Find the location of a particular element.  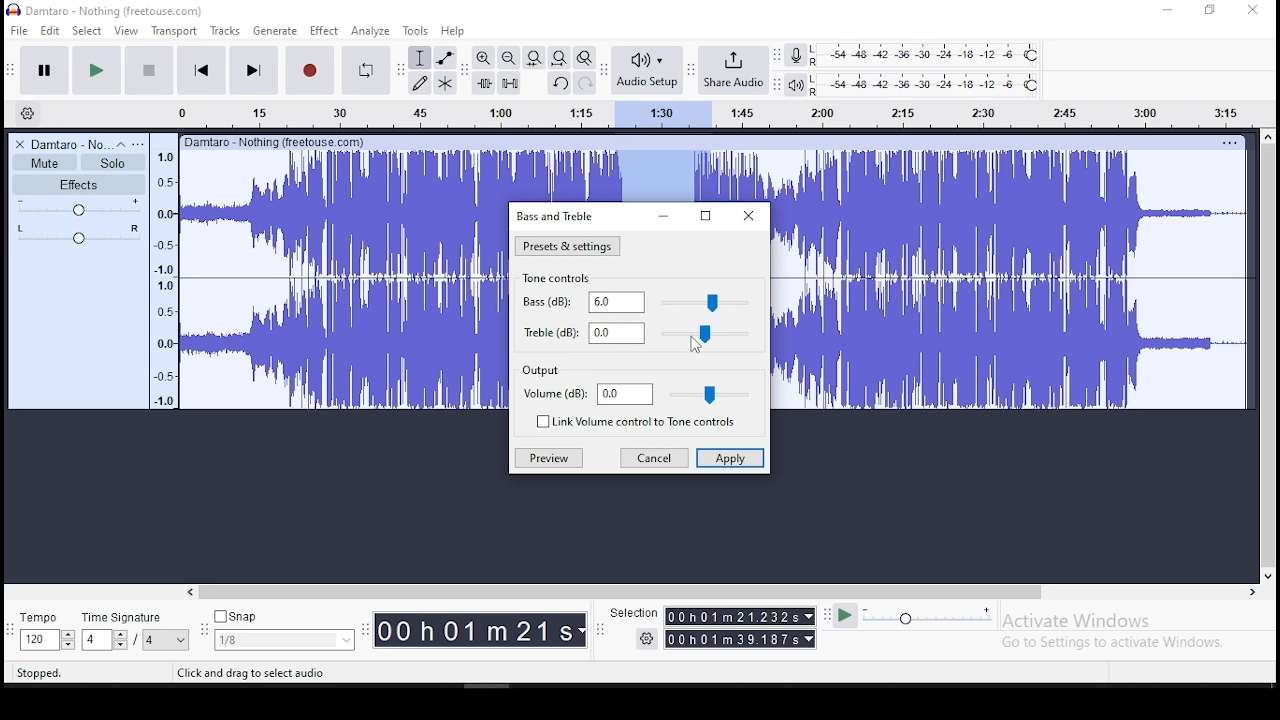

audio track is located at coordinates (1013, 344).